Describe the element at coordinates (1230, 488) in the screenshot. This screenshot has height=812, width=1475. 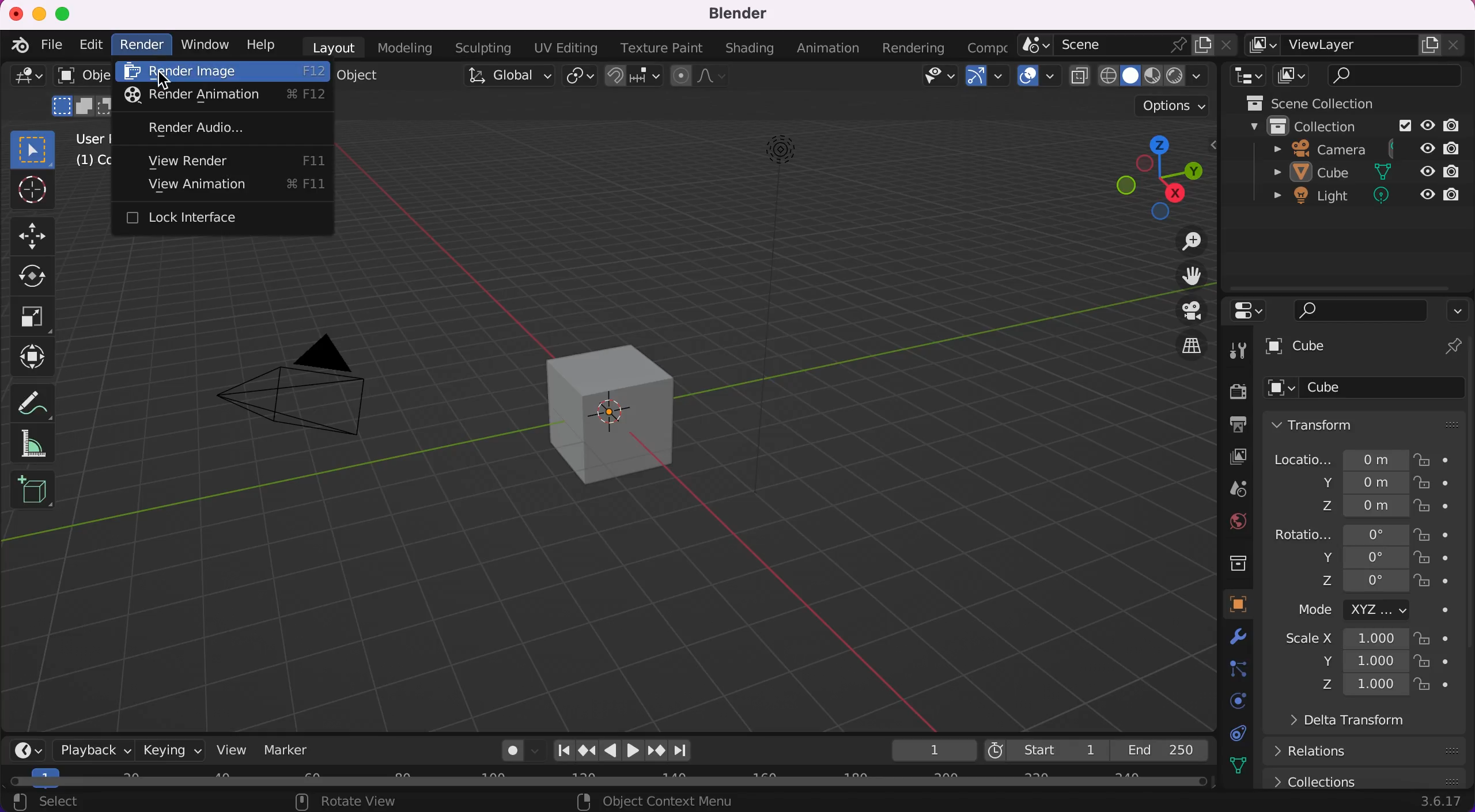
I see `scene` at that location.